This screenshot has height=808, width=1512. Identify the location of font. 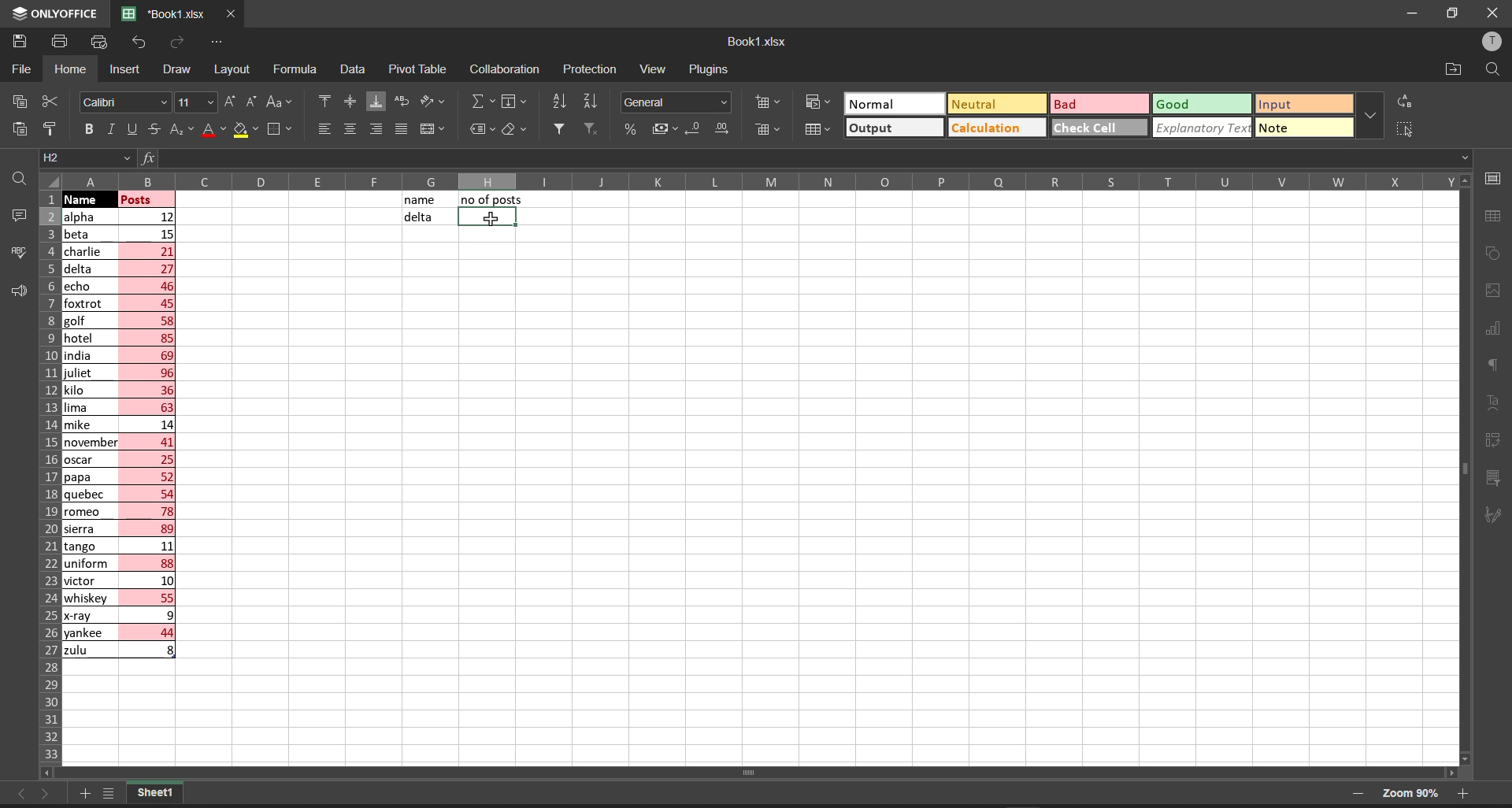
(124, 101).